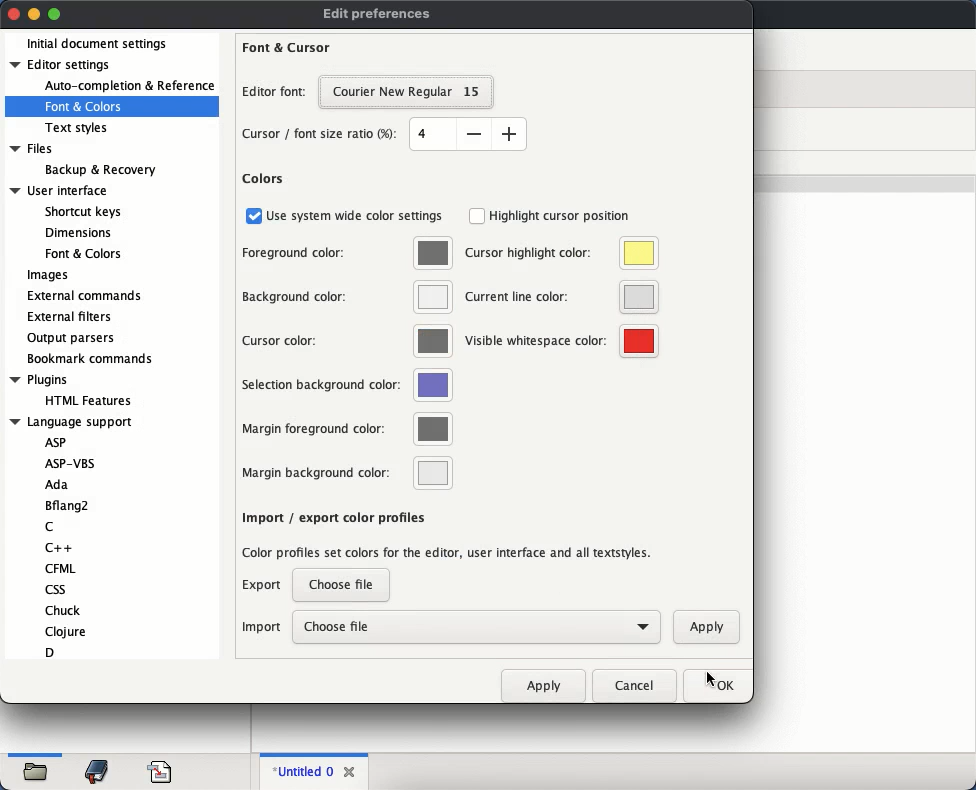 The height and width of the screenshot is (790, 976). Describe the element at coordinates (60, 191) in the screenshot. I see `user interface` at that location.